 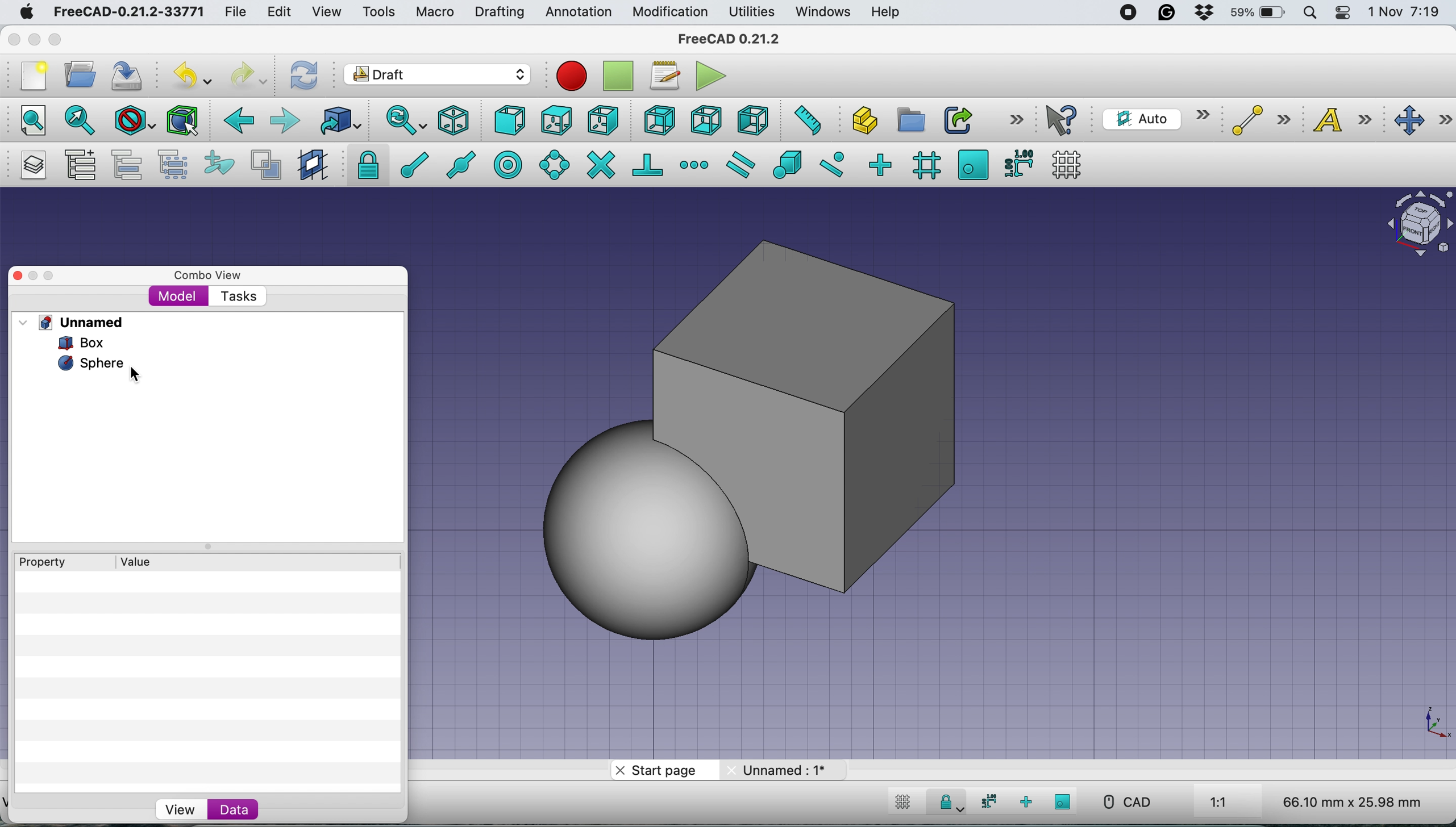 What do you see at coordinates (30, 165) in the screenshot?
I see `manage layers` at bounding box center [30, 165].